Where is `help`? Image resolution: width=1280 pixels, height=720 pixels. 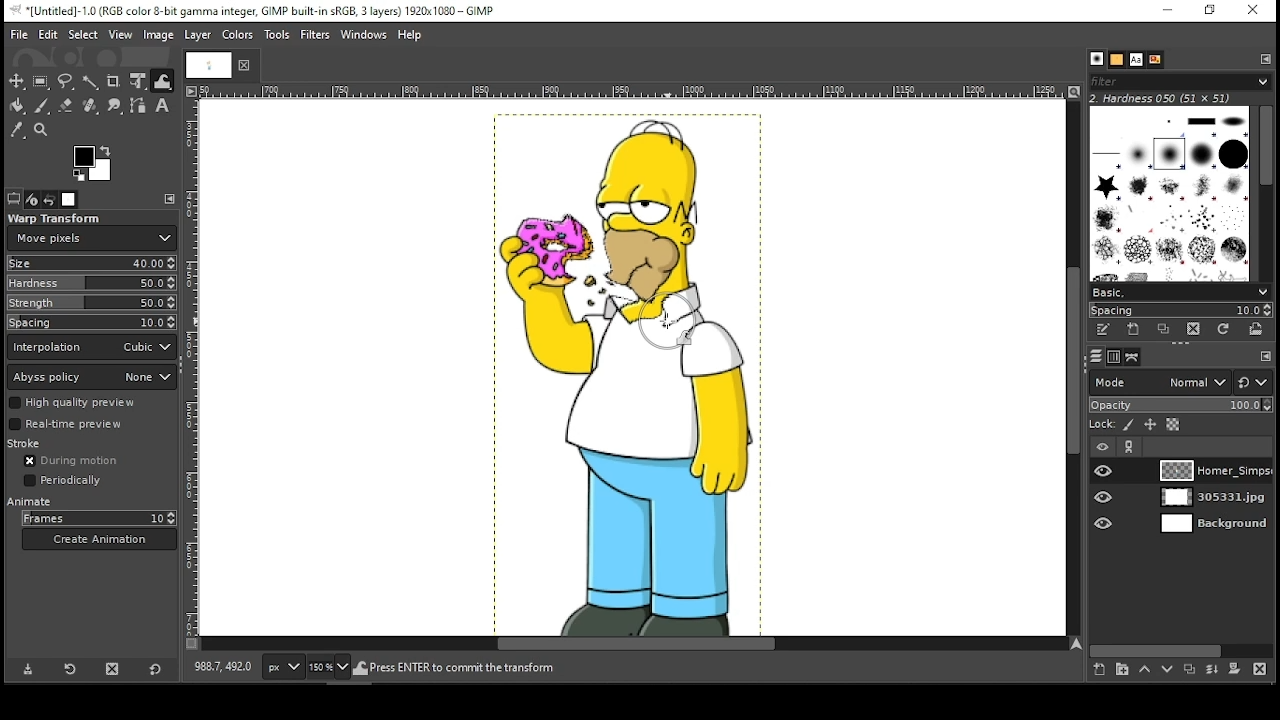 help is located at coordinates (411, 36).